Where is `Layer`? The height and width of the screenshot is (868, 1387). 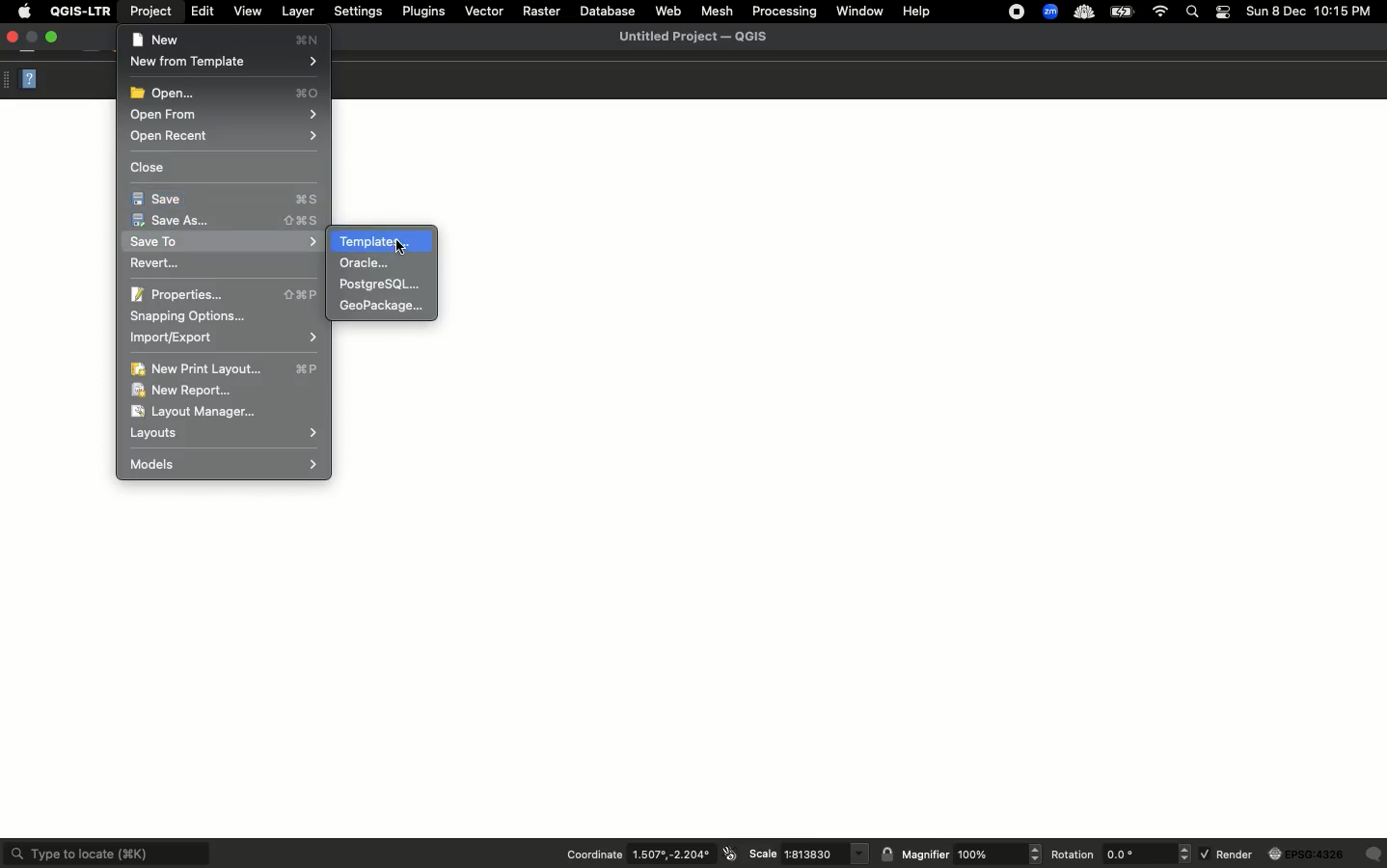
Layer is located at coordinates (297, 12).